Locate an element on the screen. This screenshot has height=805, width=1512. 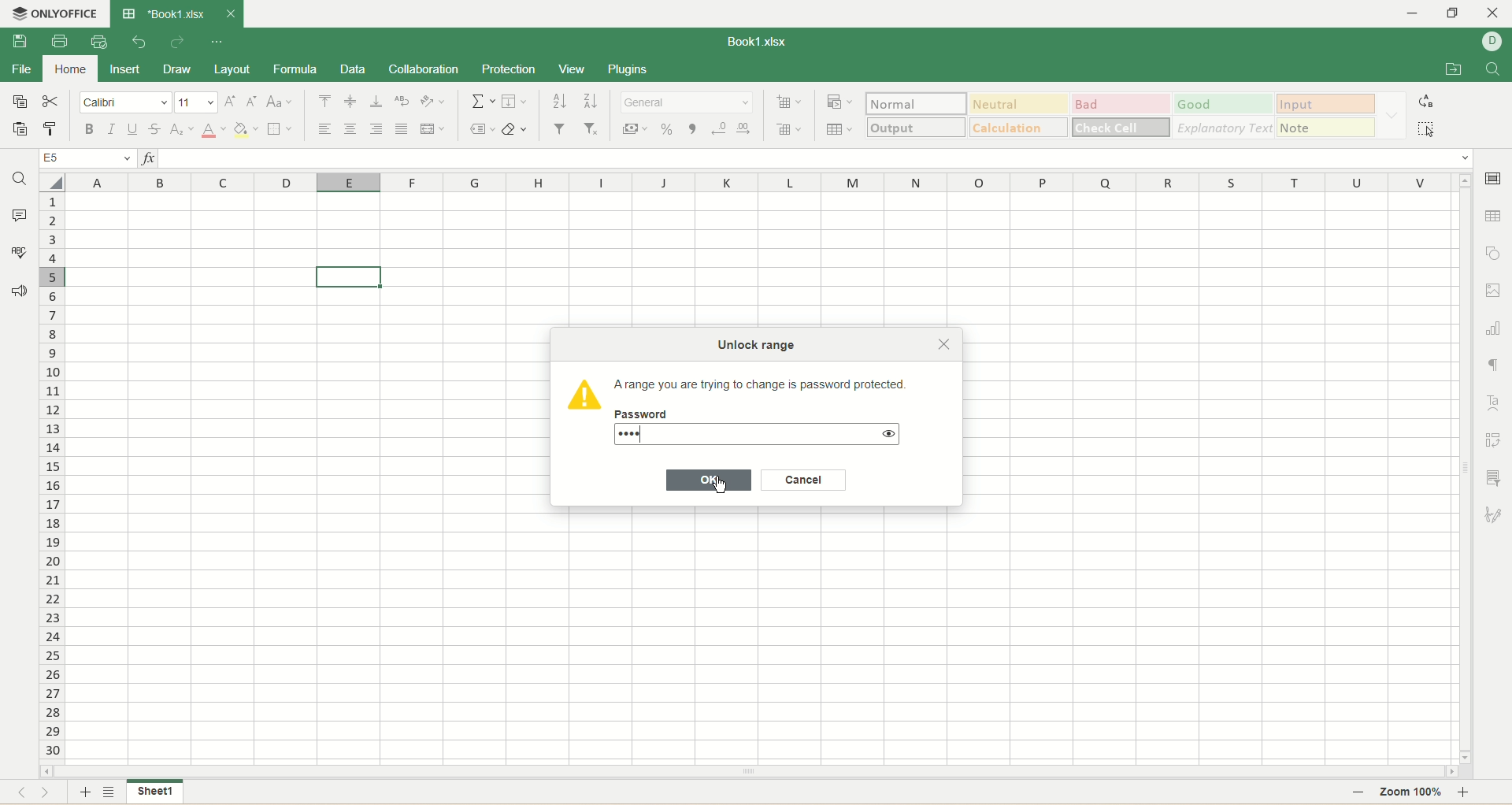
align left is located at coordinates (321, 131).